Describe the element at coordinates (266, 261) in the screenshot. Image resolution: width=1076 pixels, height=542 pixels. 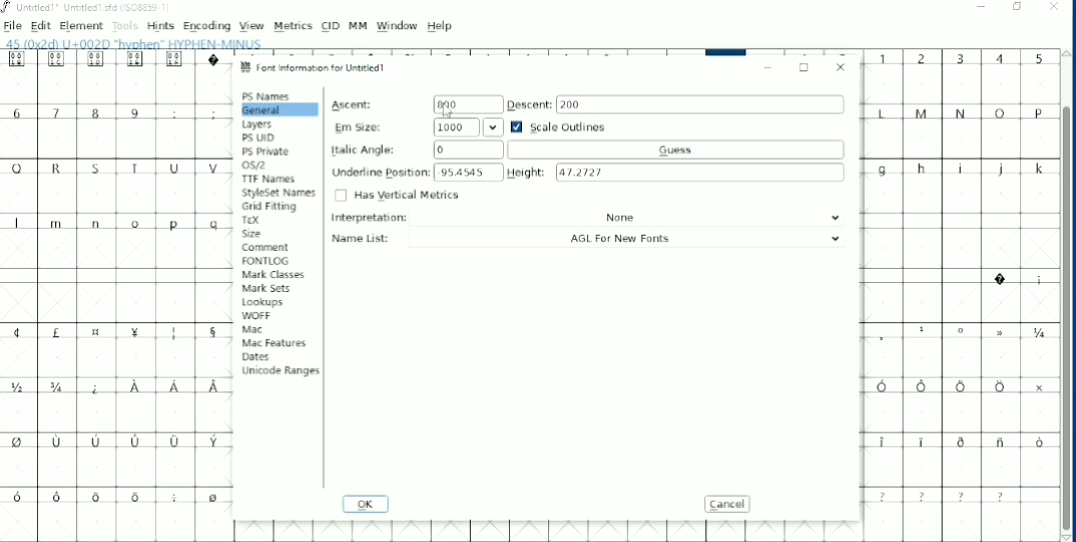
I see `FONTLOG` at that location.